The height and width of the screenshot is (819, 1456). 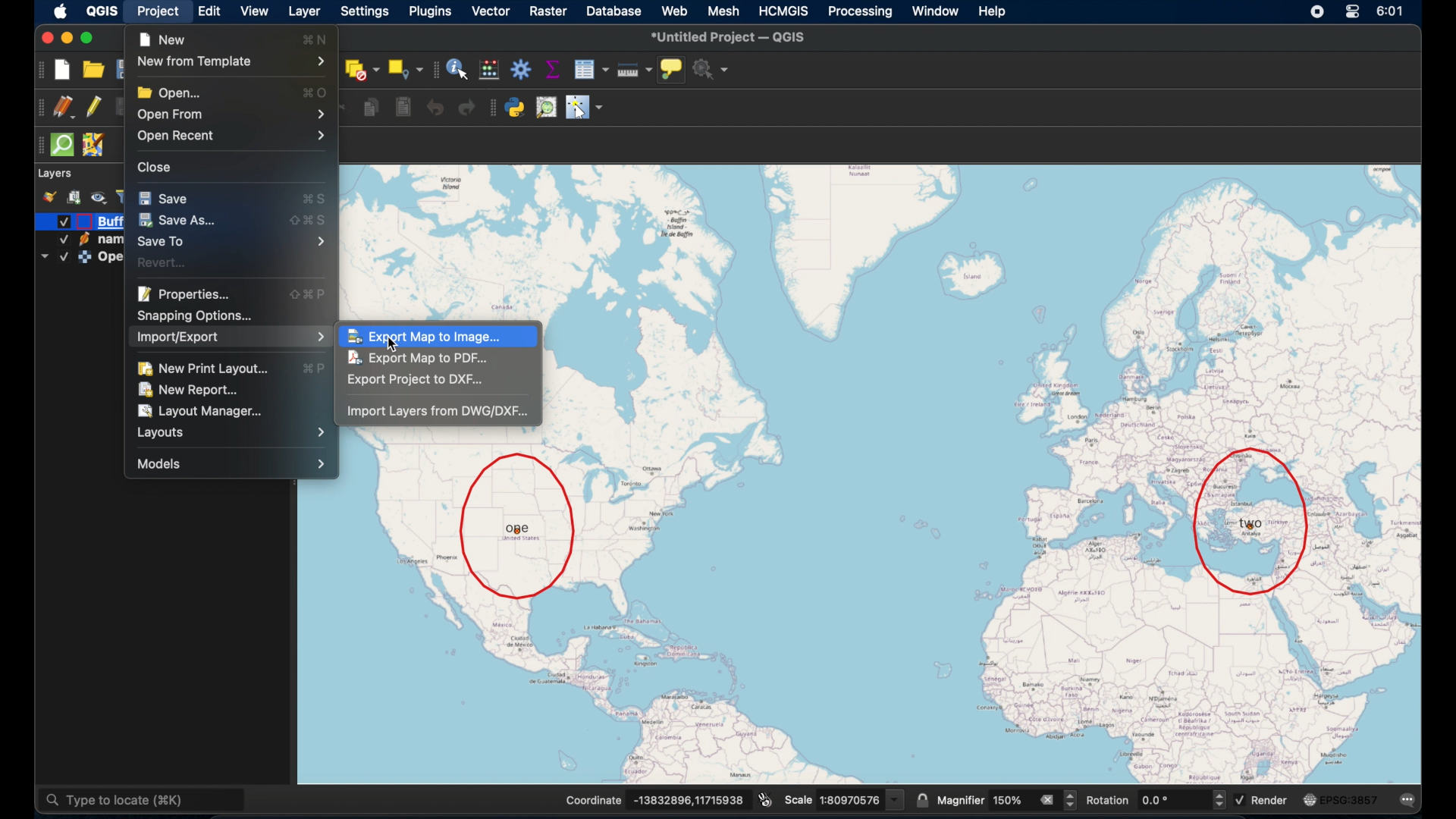 I want to click on new project, so click(x=64, y=69).